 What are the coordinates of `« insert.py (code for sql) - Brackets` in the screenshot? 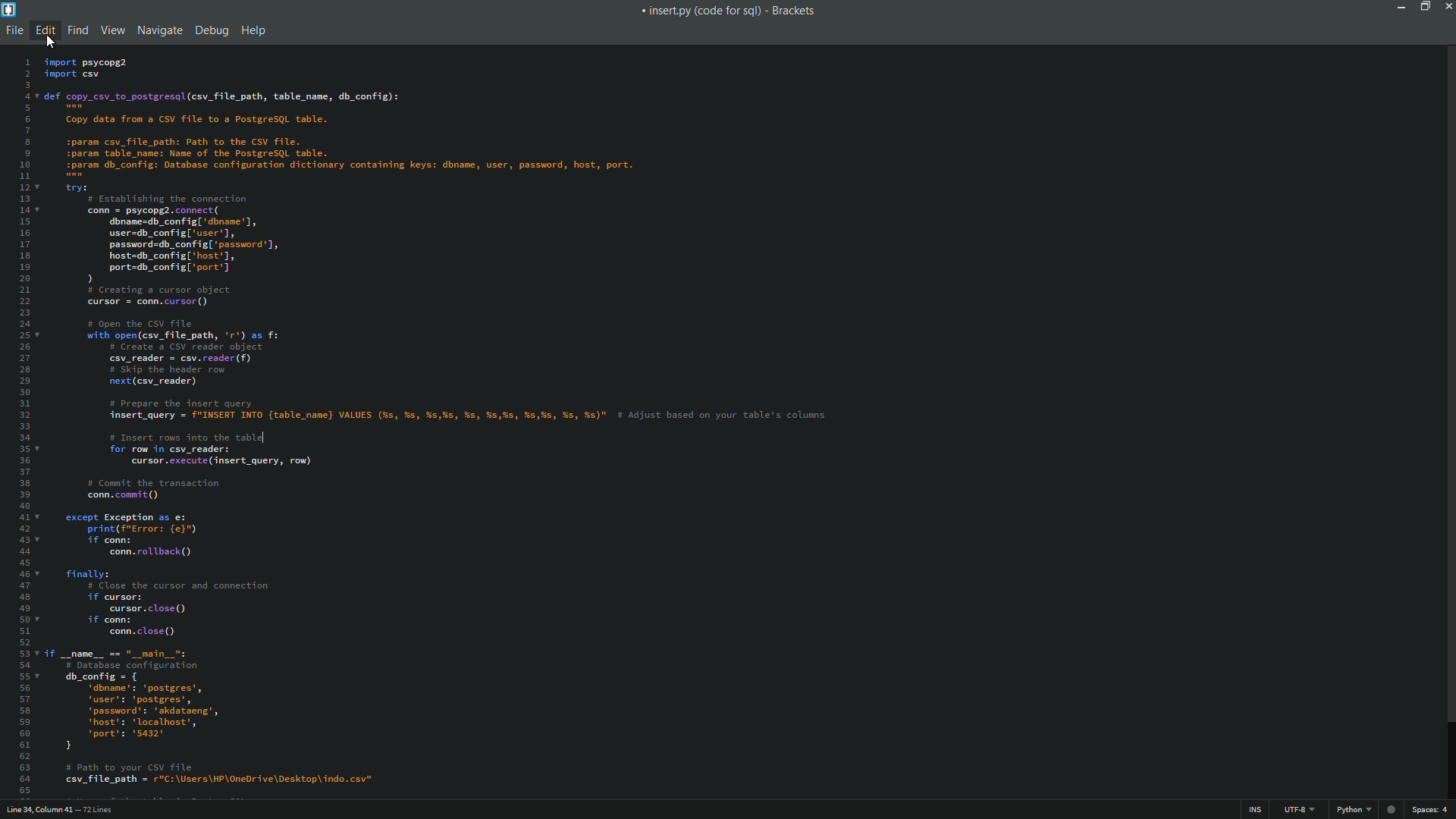 It's located at (726, 14).